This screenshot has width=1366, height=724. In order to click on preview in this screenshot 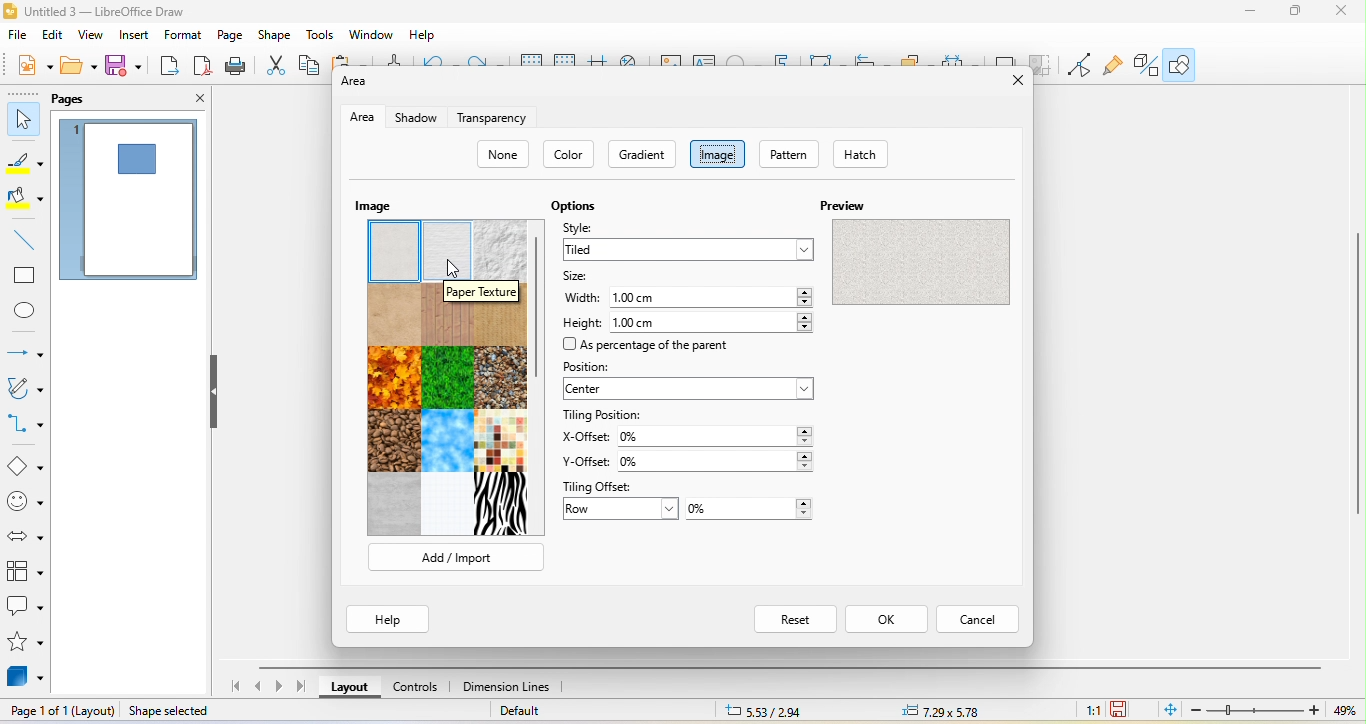, I will do `click(920, 245)`.